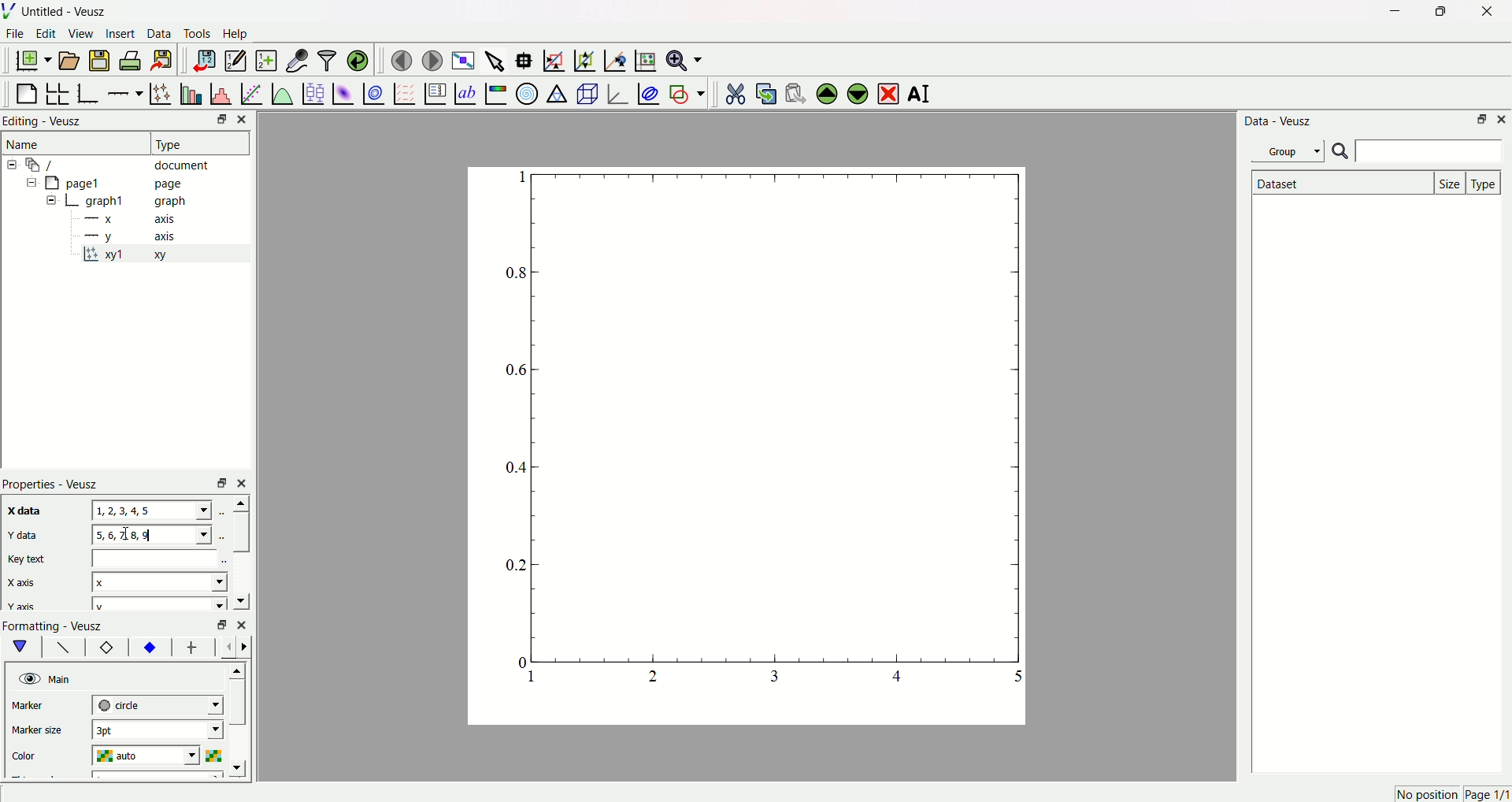  I want to click on Edit, so click(46, 35).